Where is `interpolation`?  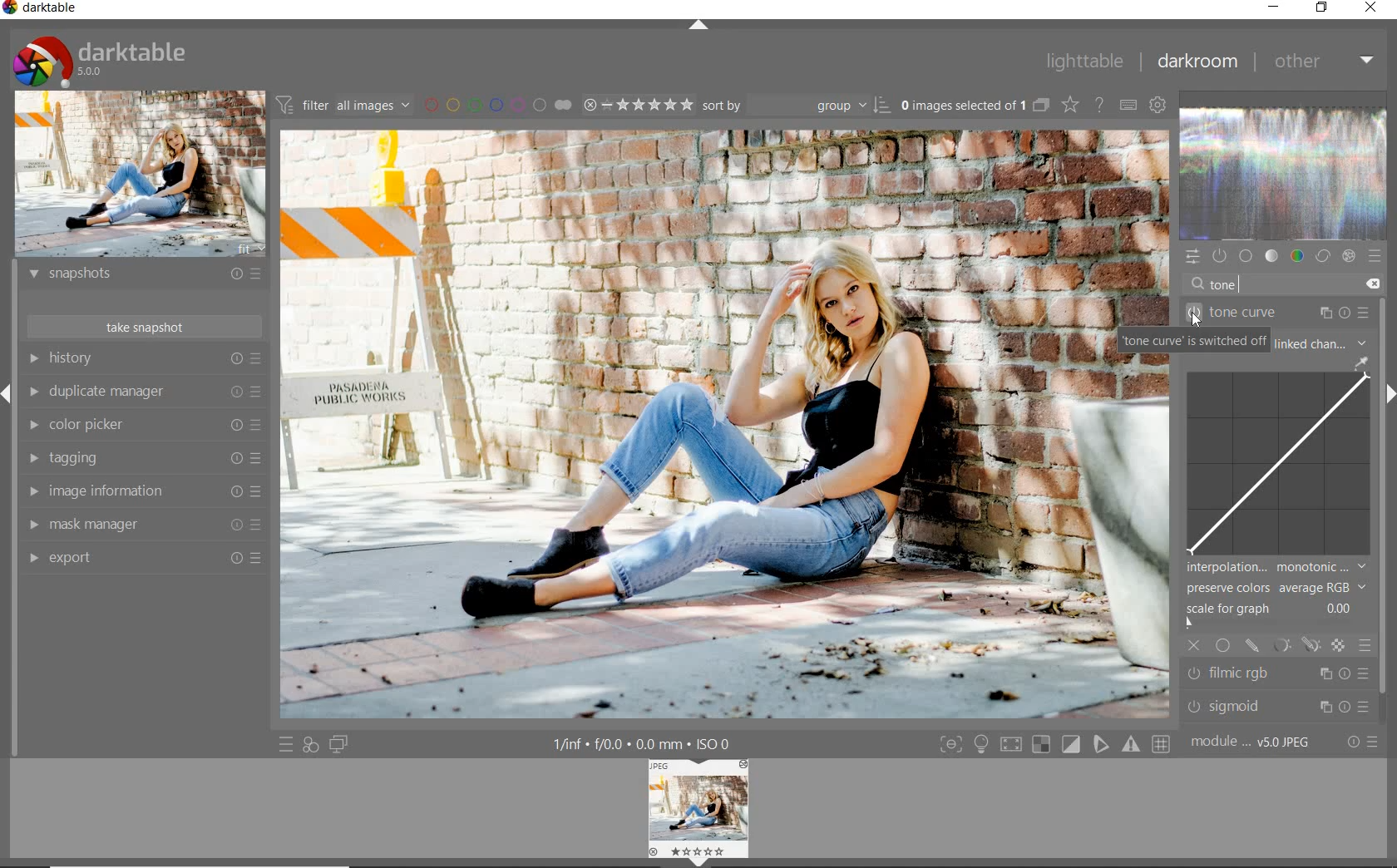
interpolation is located at coordinates (1278, 567).